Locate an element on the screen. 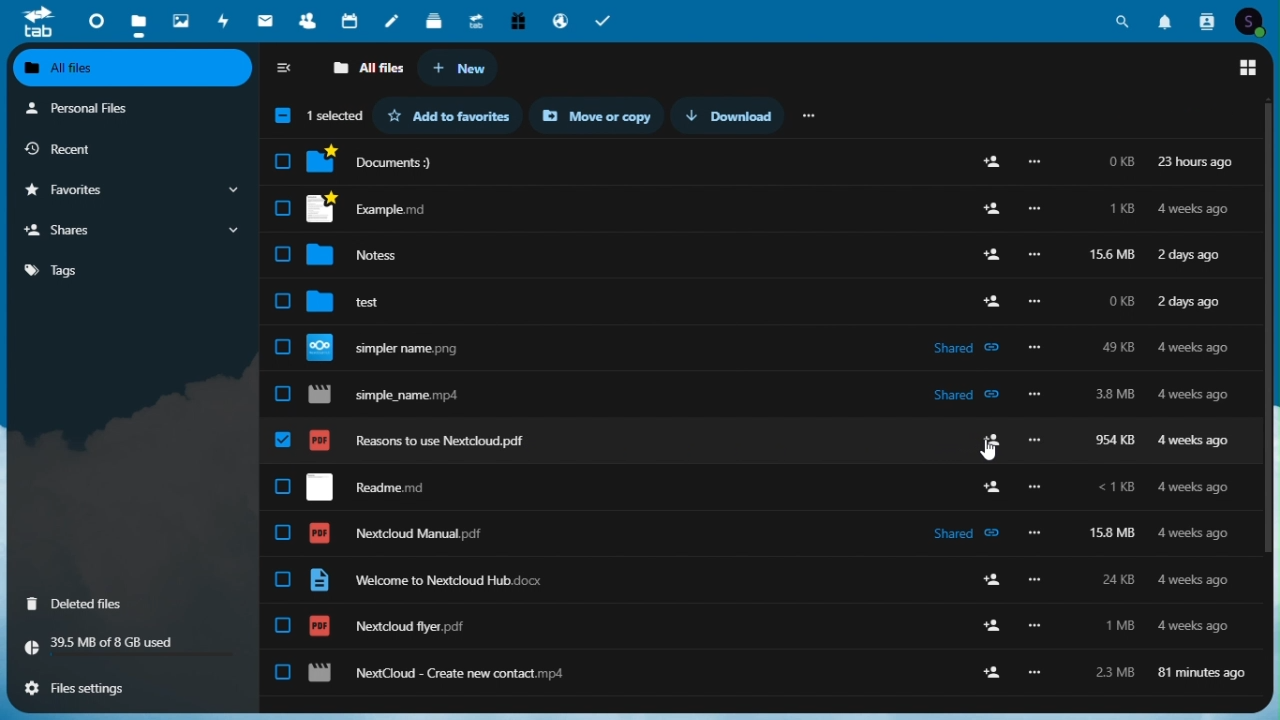 The height and width of the screenshot is (720, 1280). favourites is located at coordinates (131, 191).